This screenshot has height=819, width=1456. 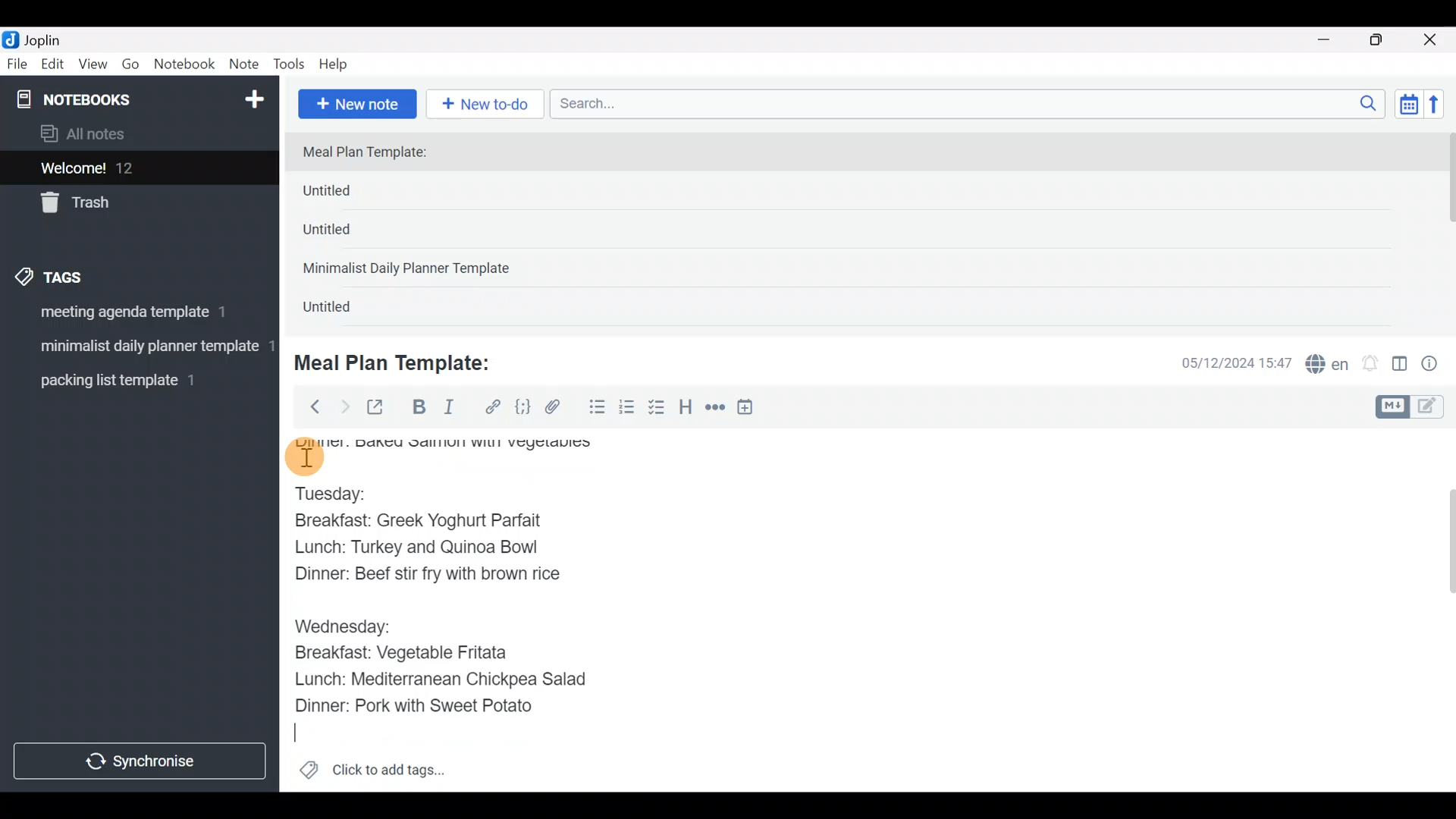 I want to click on Code, so click(x=521, y=406).